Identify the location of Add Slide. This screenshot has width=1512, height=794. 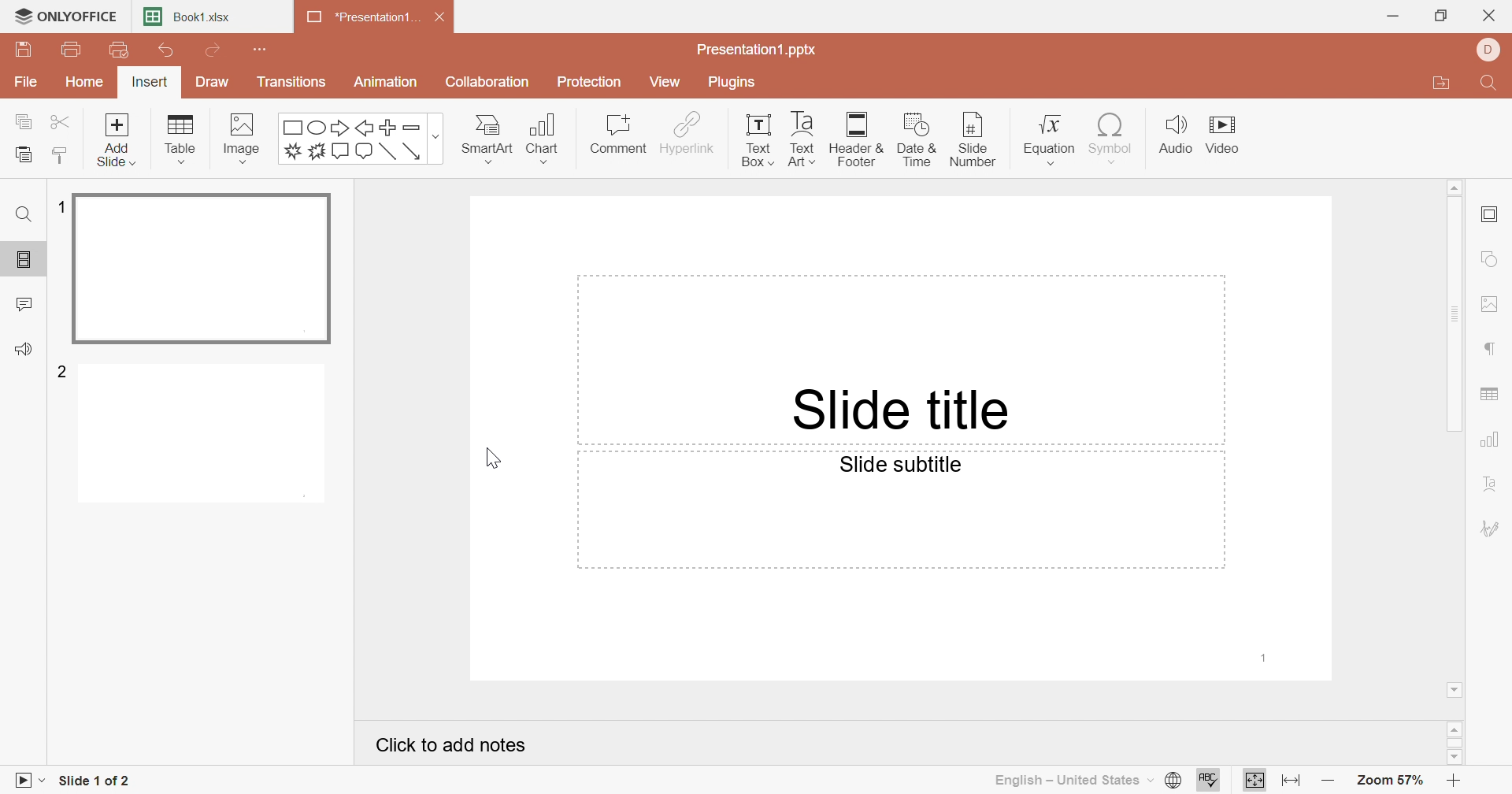
(117, 139).